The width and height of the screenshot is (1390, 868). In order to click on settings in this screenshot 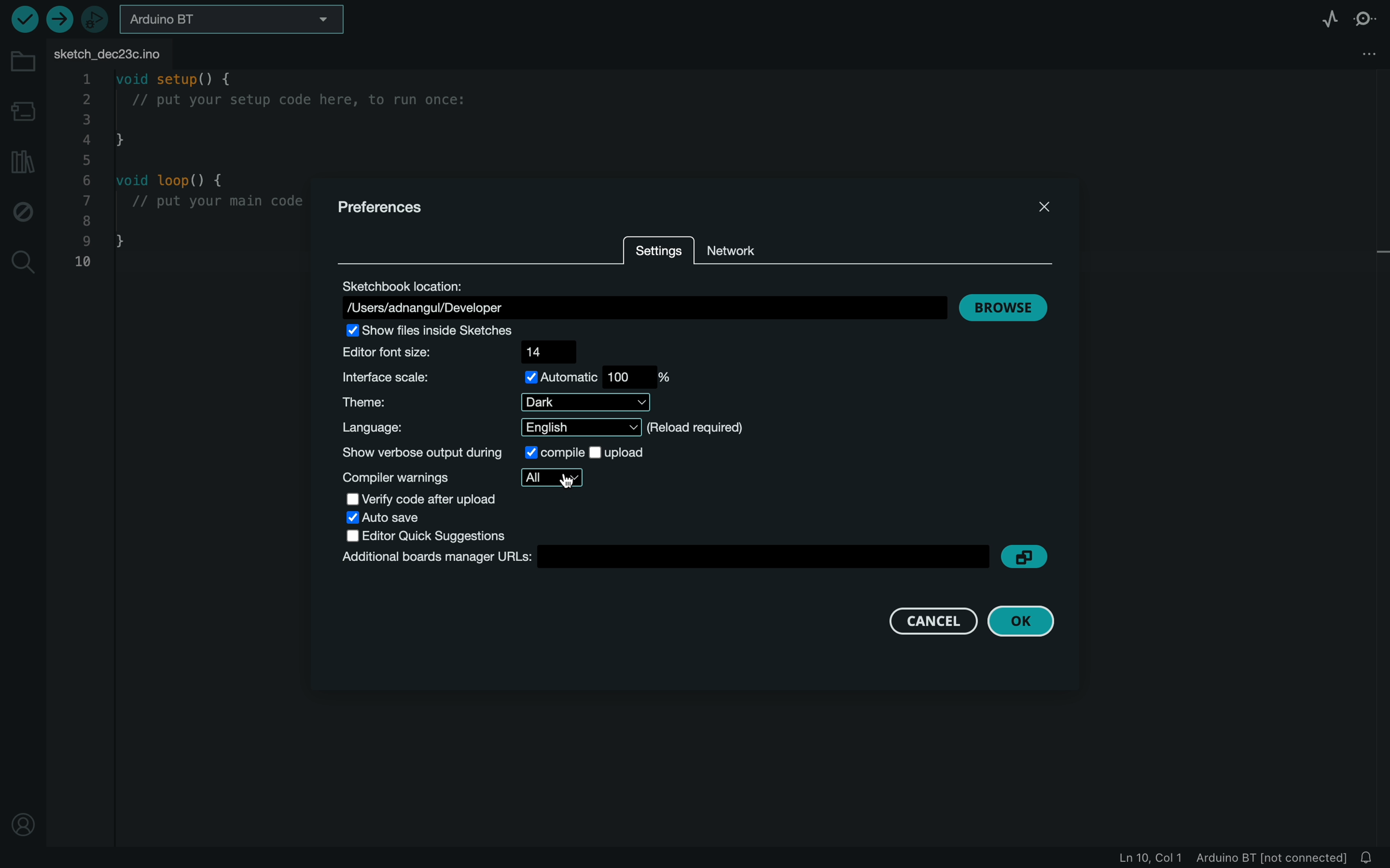, I will do `click(658, 253)`.